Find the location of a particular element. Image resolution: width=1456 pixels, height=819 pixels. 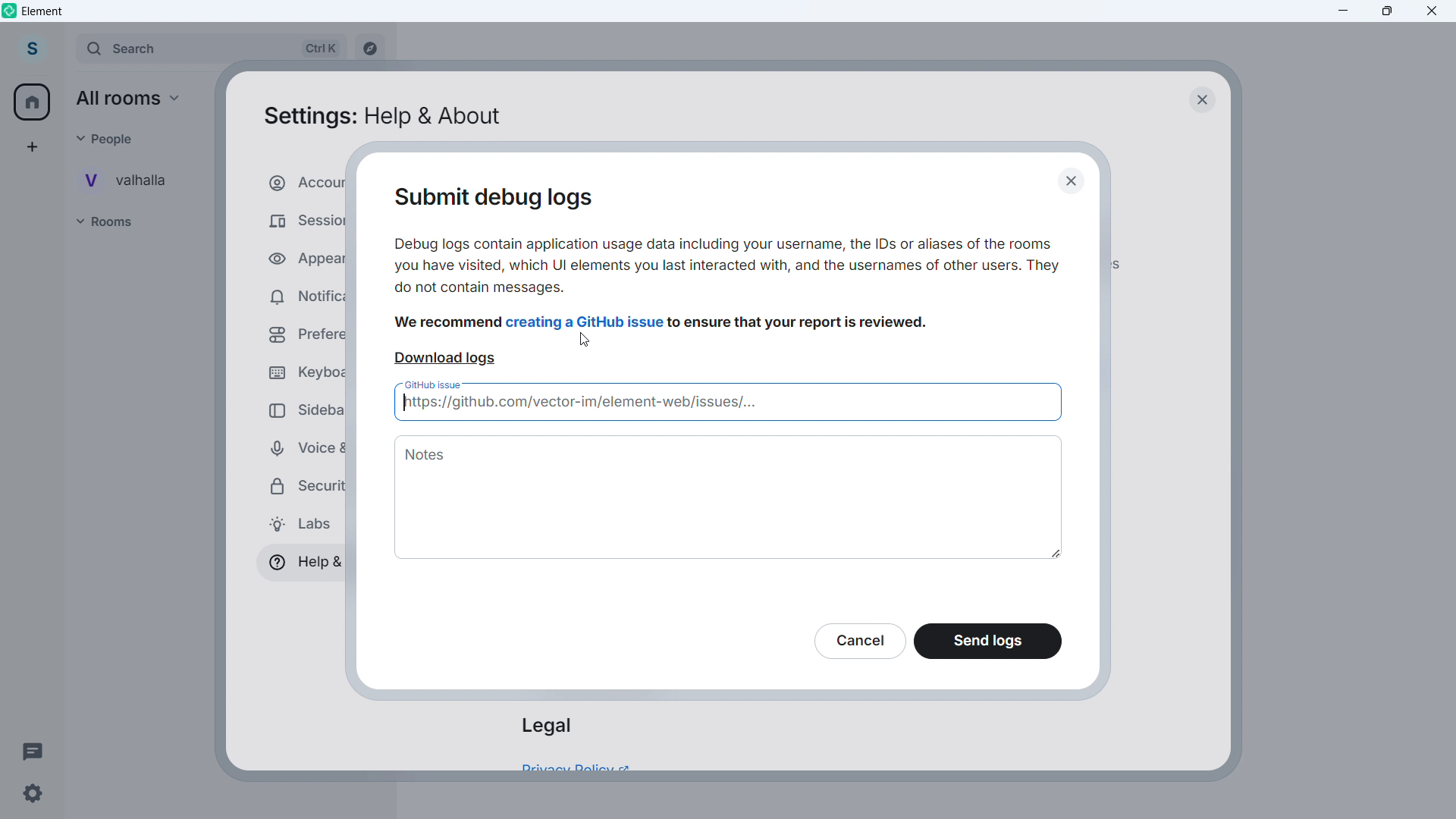

All Rooms is located at coordinates (134, 99).